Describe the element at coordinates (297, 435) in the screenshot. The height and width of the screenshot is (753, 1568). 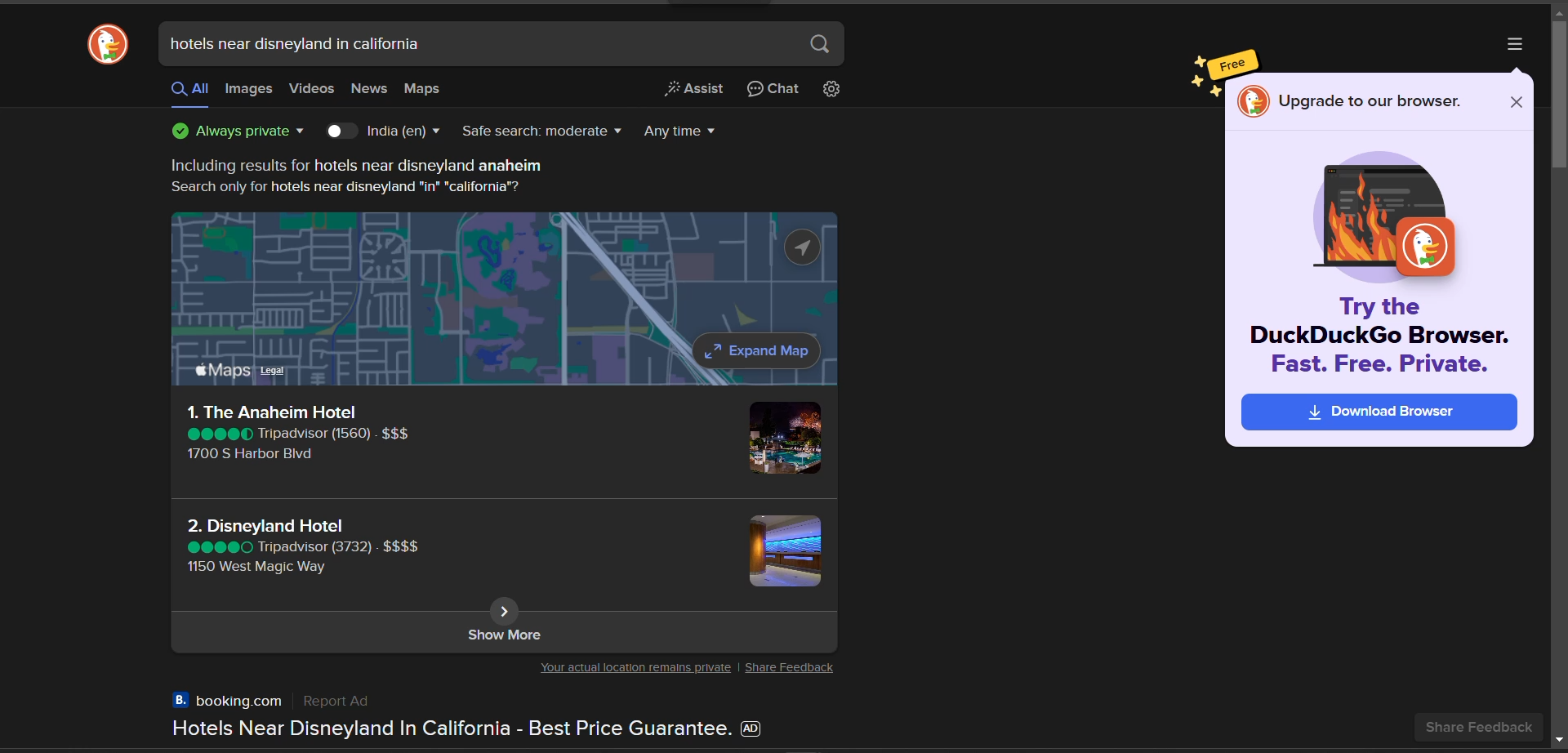
I see `suggestion-1` at that location.